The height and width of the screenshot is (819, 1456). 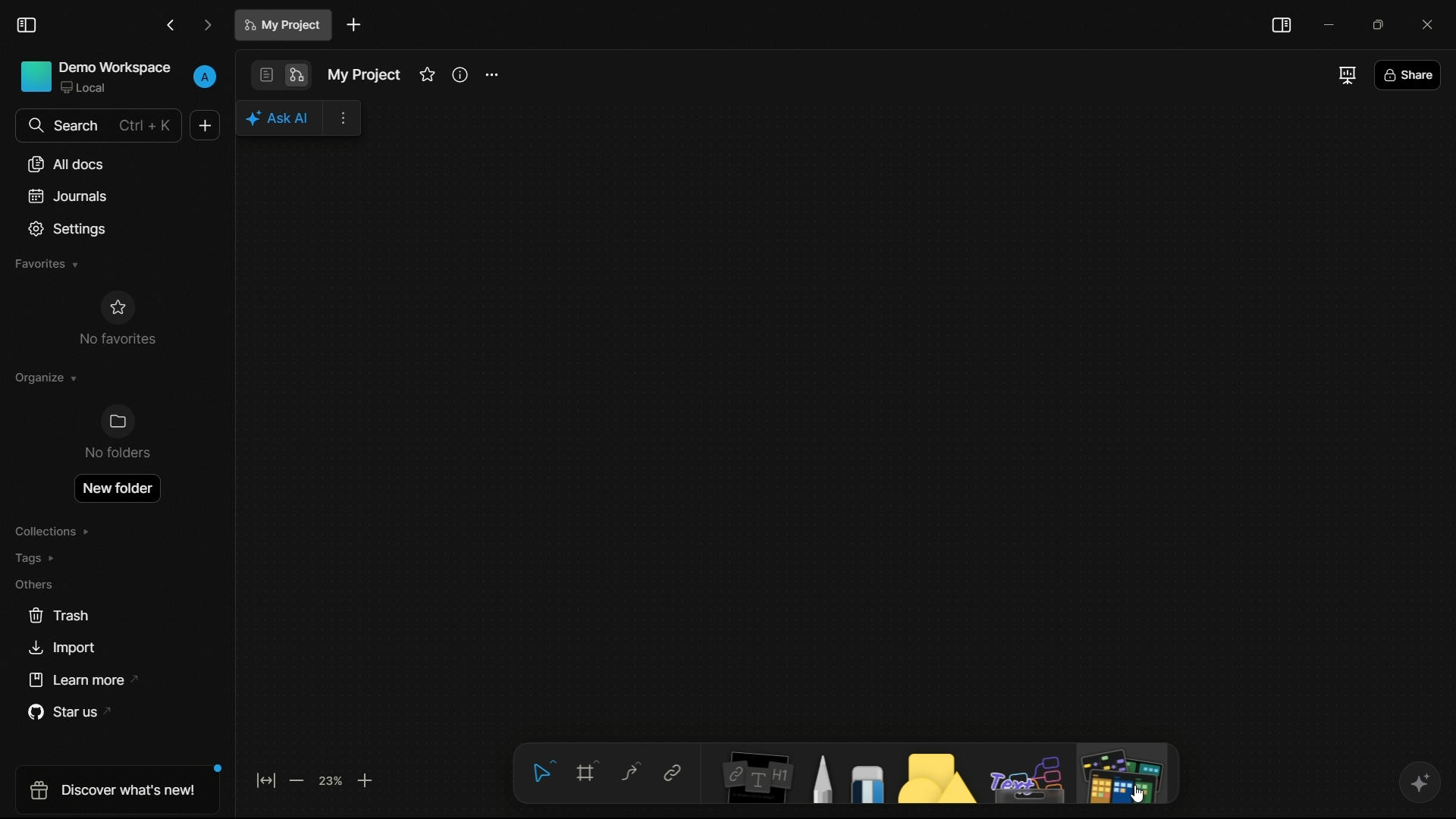 What do you see at coordinates (362, 75) in the screenshot?
I see `document name` at bounding box center [362, 75].